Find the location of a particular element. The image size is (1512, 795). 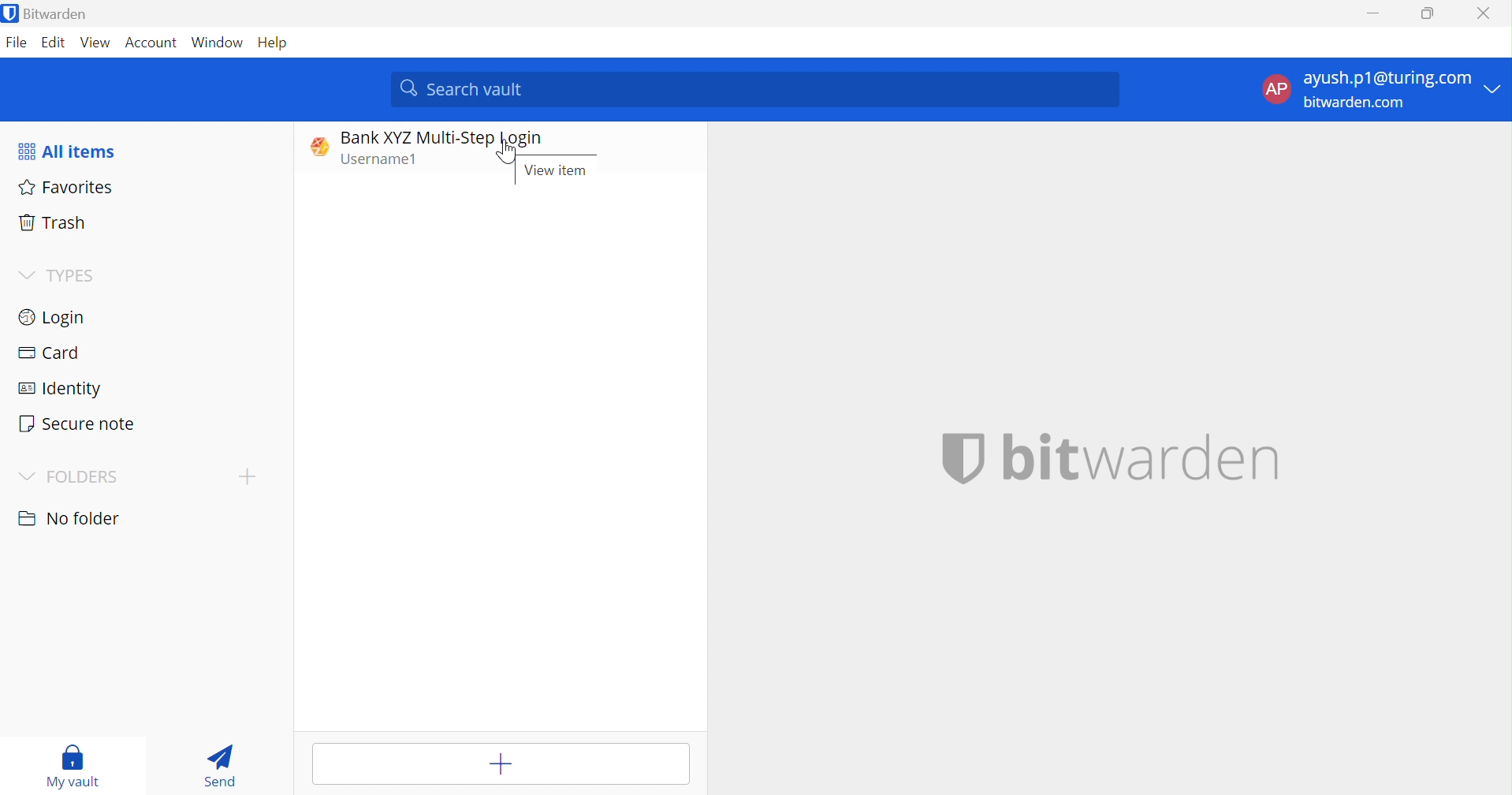

View item is located at coordinates (554, 171).